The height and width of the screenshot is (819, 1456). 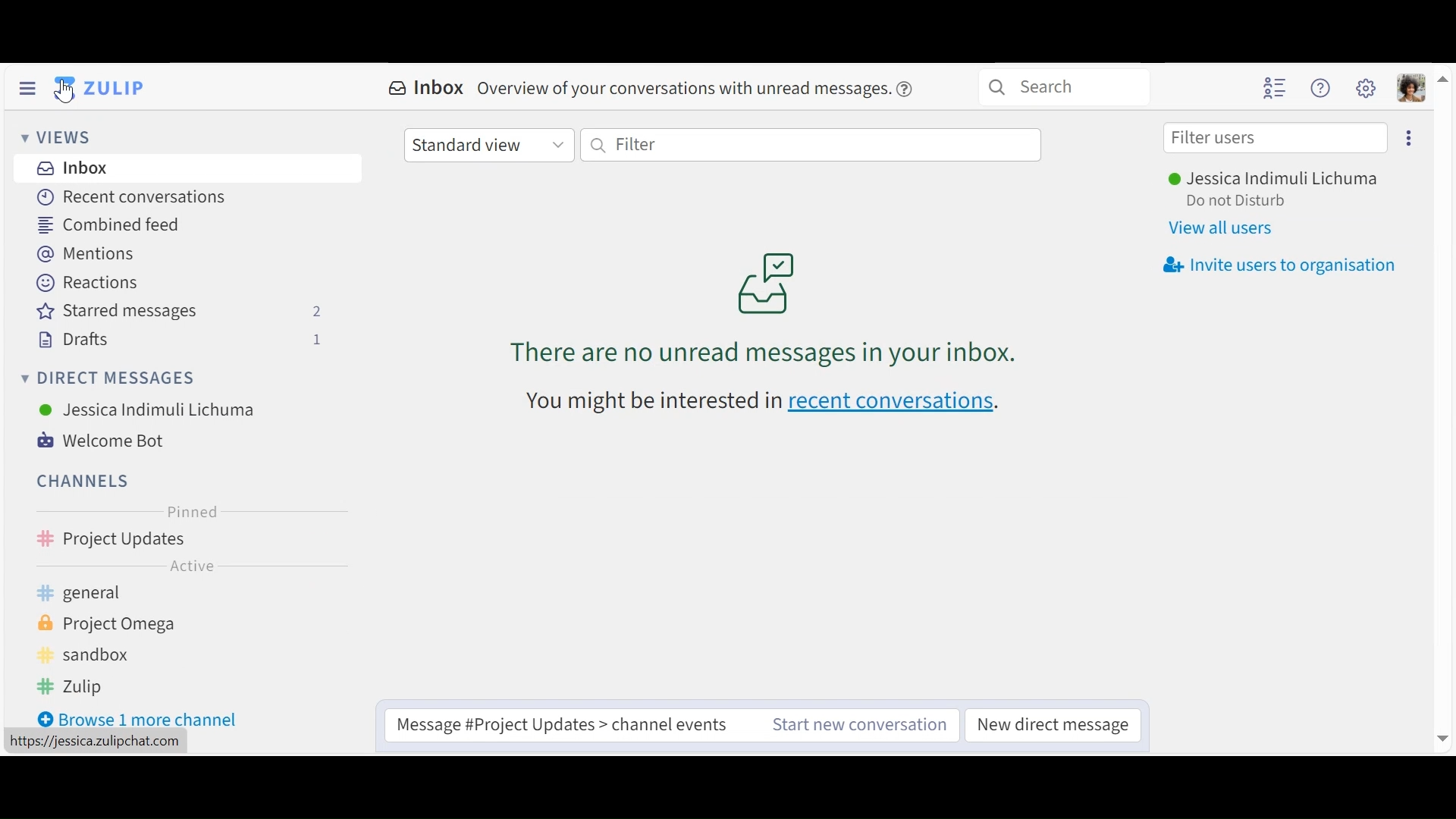 I want to click on Views, so click(x=56, y=137).